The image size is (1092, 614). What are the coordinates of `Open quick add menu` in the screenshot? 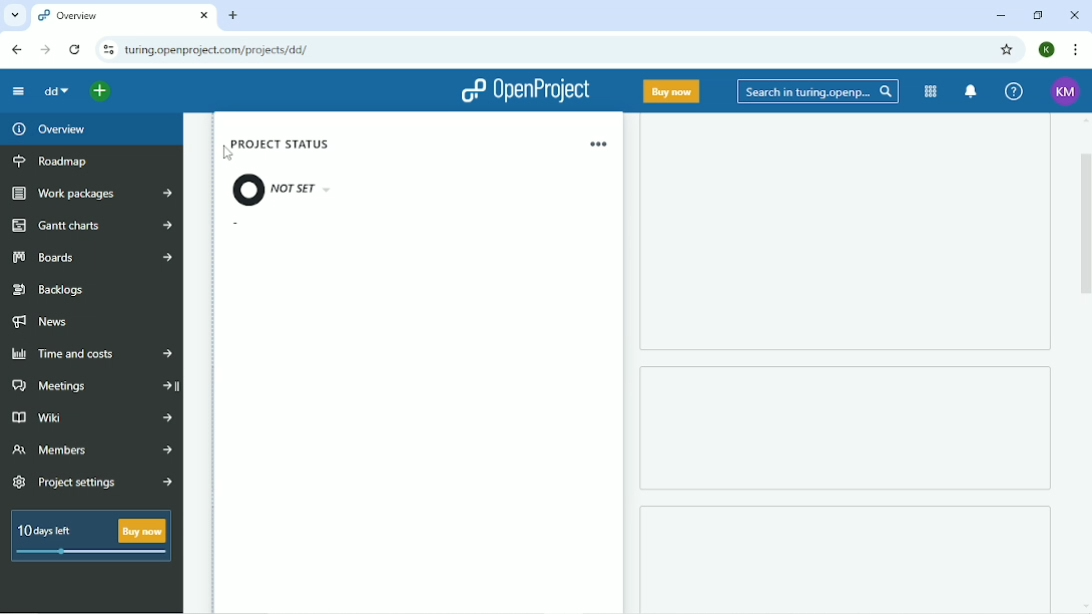 It's located at (100, 91).